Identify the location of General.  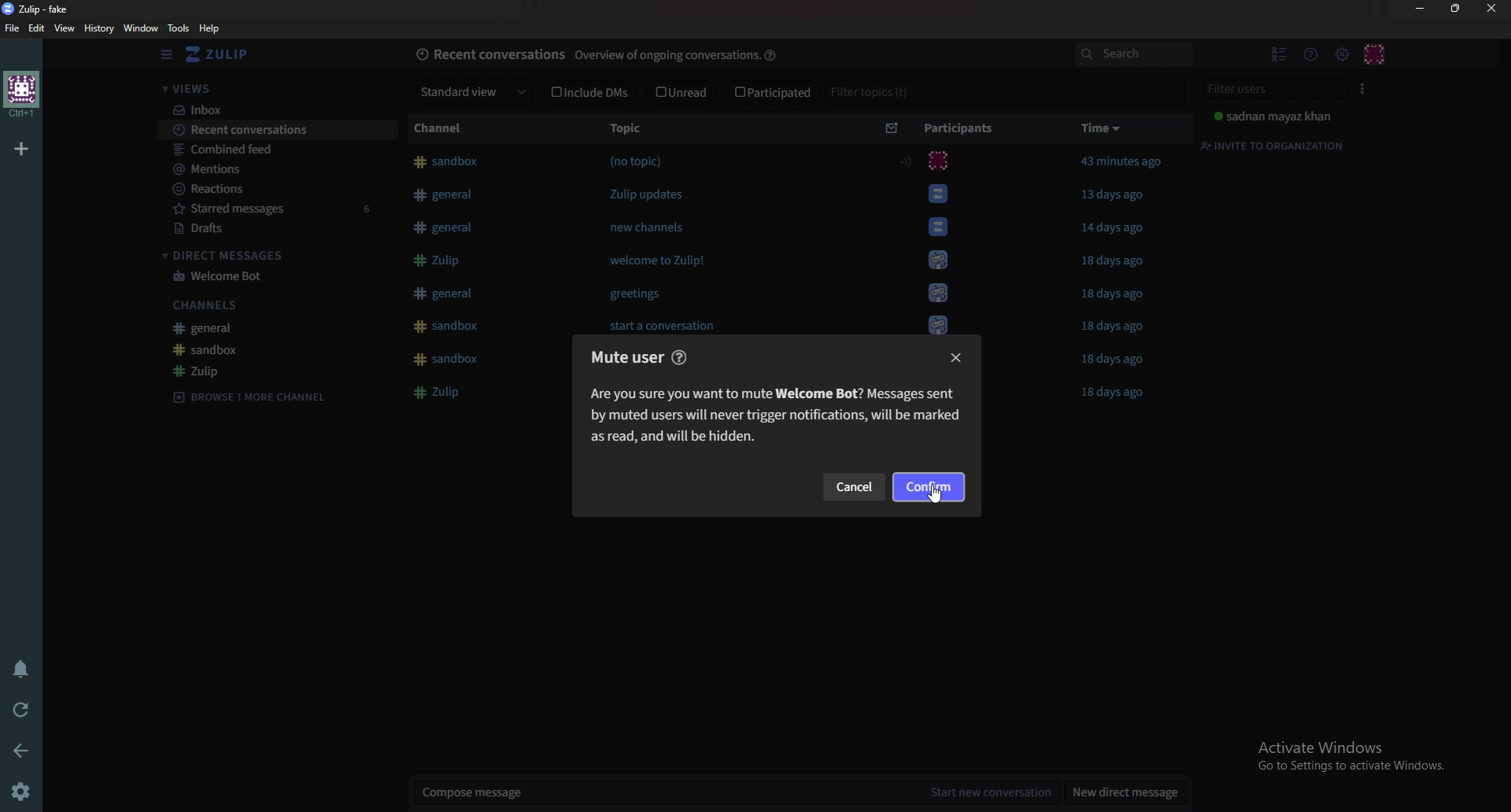
(276, 327).